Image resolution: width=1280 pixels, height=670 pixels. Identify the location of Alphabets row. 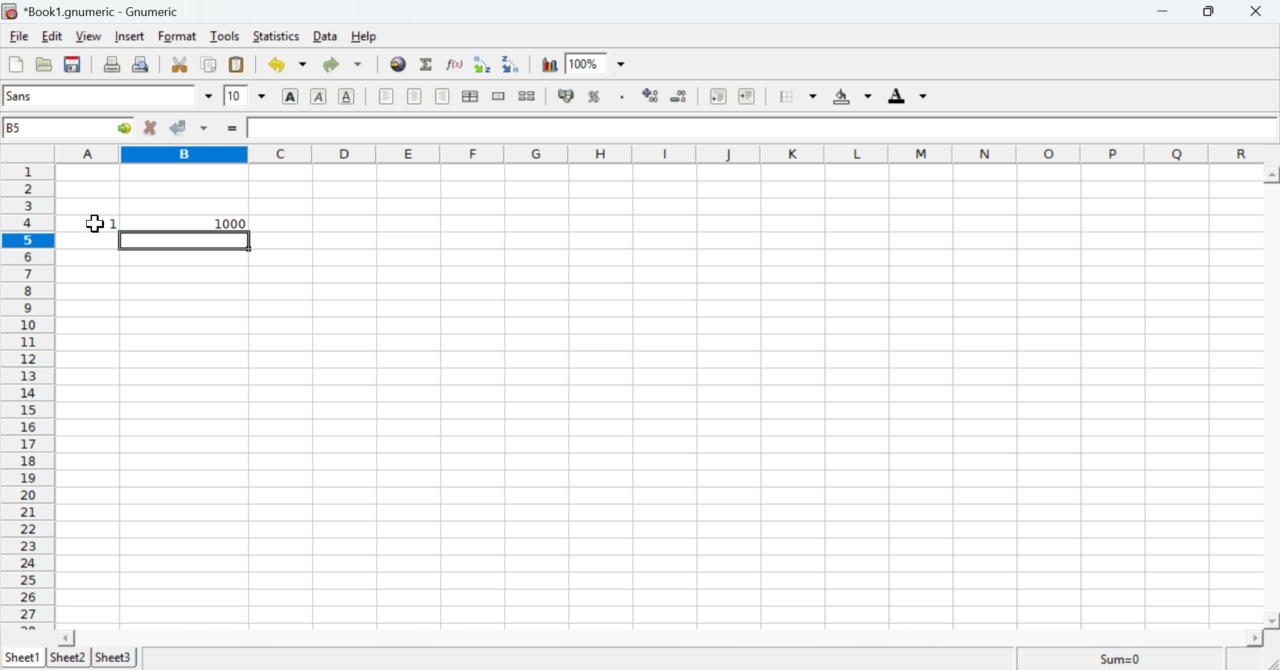
(661, 152).